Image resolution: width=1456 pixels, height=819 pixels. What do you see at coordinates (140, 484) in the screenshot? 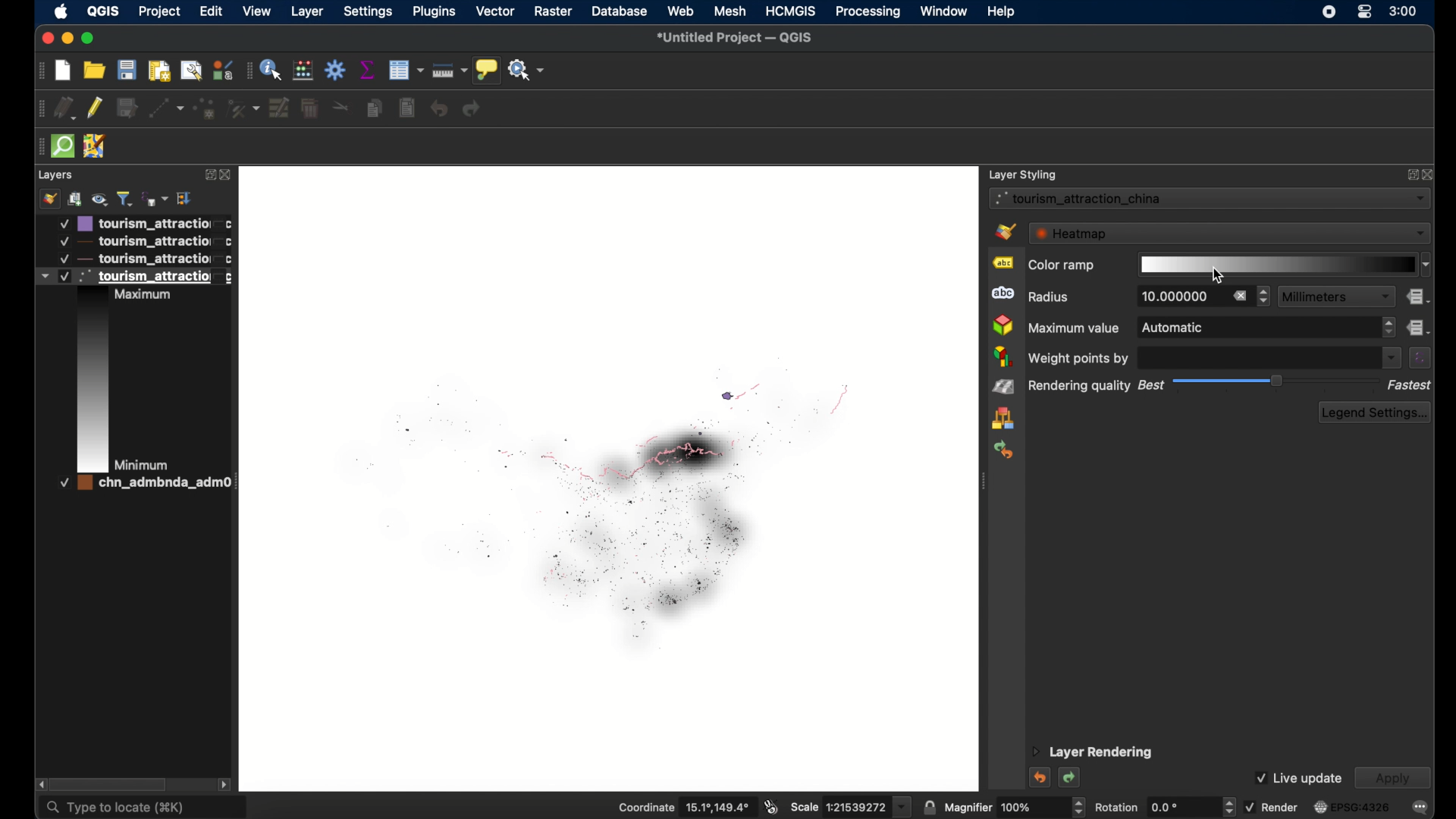
I see `layer 4` at bounding box center [140, 484].